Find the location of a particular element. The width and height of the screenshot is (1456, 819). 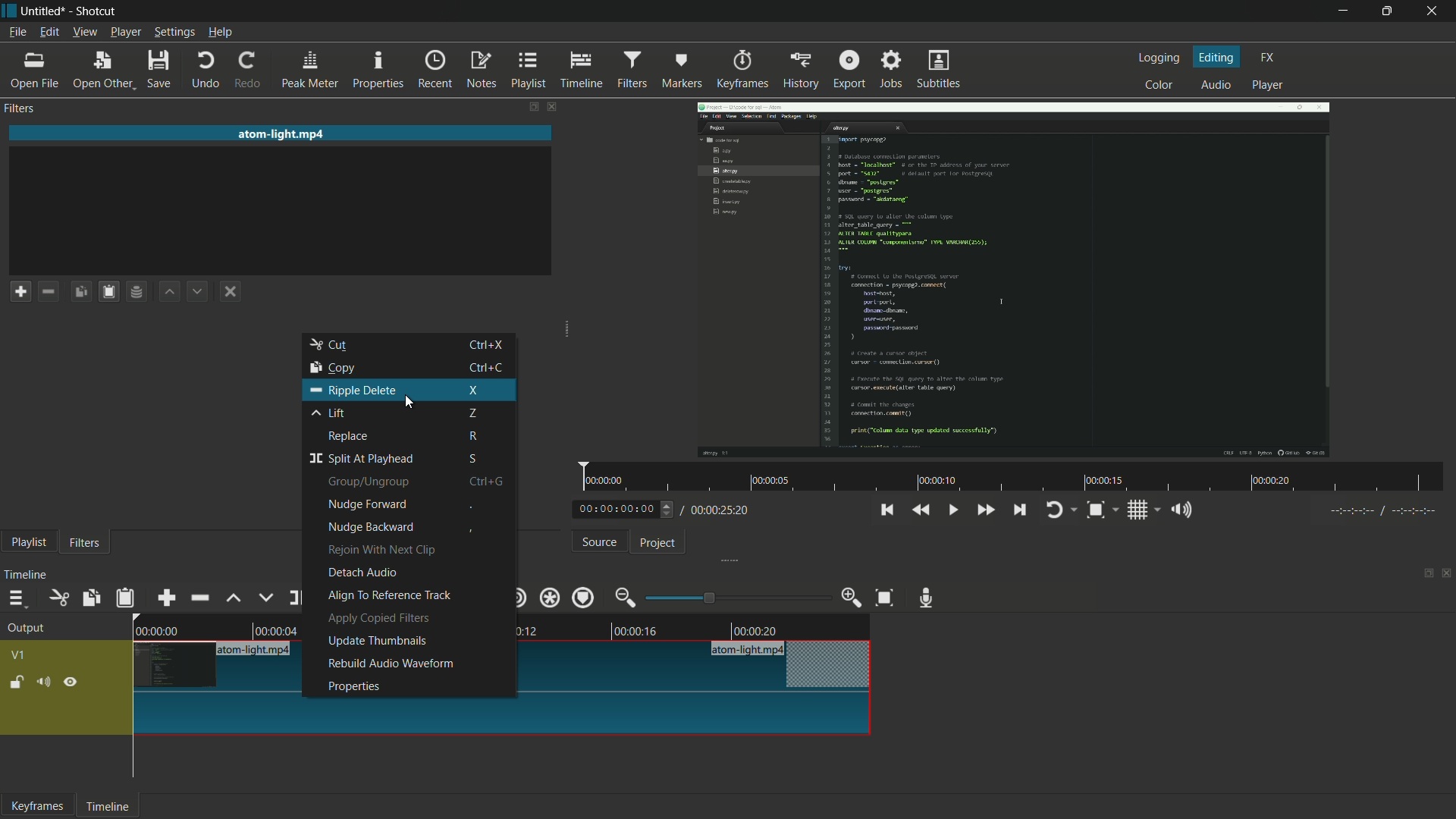

Cursor is located at coordinates (410, 407).